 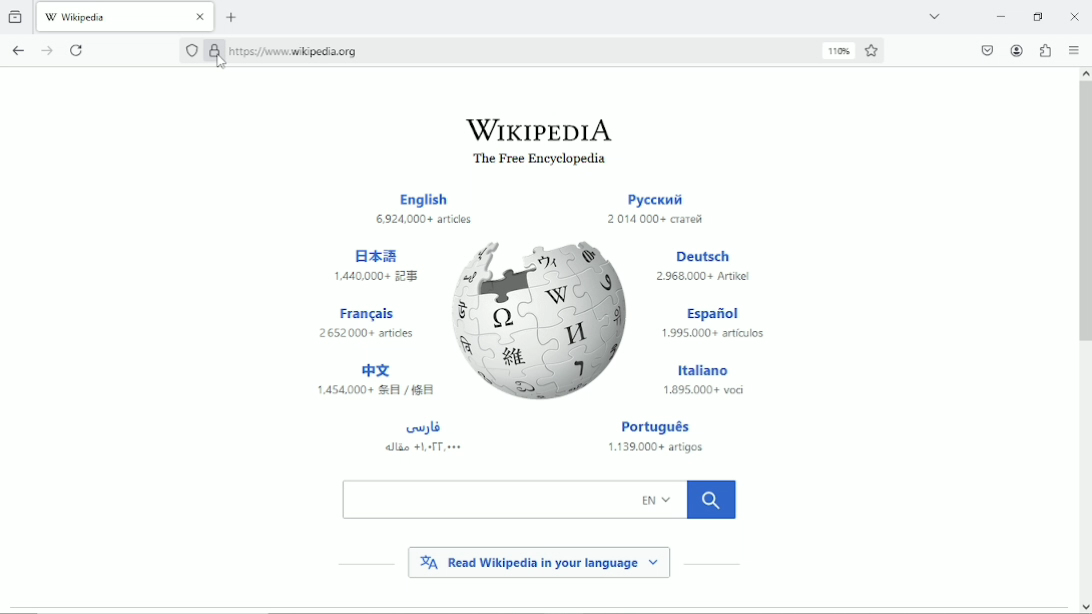 What do you see at coordinates (985, 50) in the screenshot?
I see `add to pocket` at bounding box center [985, 50].